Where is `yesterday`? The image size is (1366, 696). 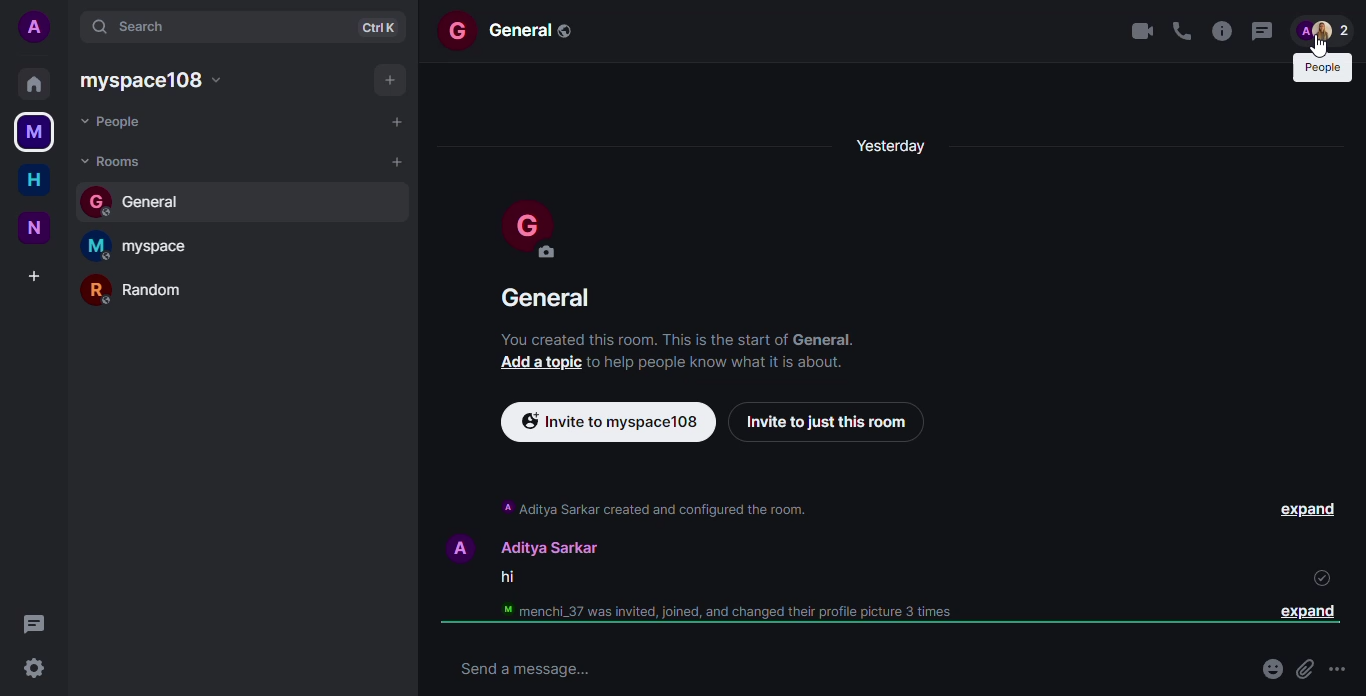 yesterday is located at coordinates (893, 148).